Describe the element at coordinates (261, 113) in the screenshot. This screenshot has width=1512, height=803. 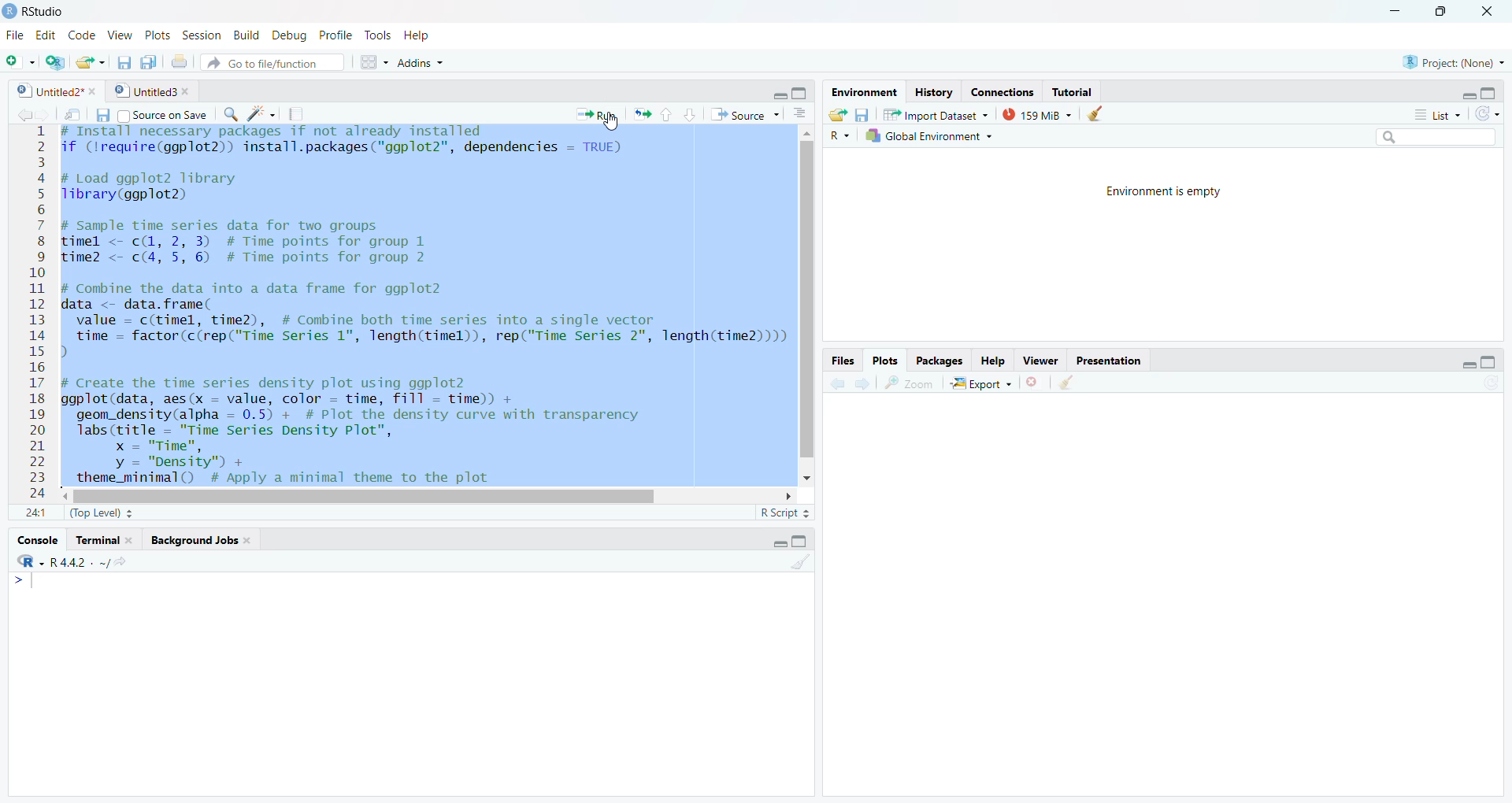
I see `Code Tools` at that location.